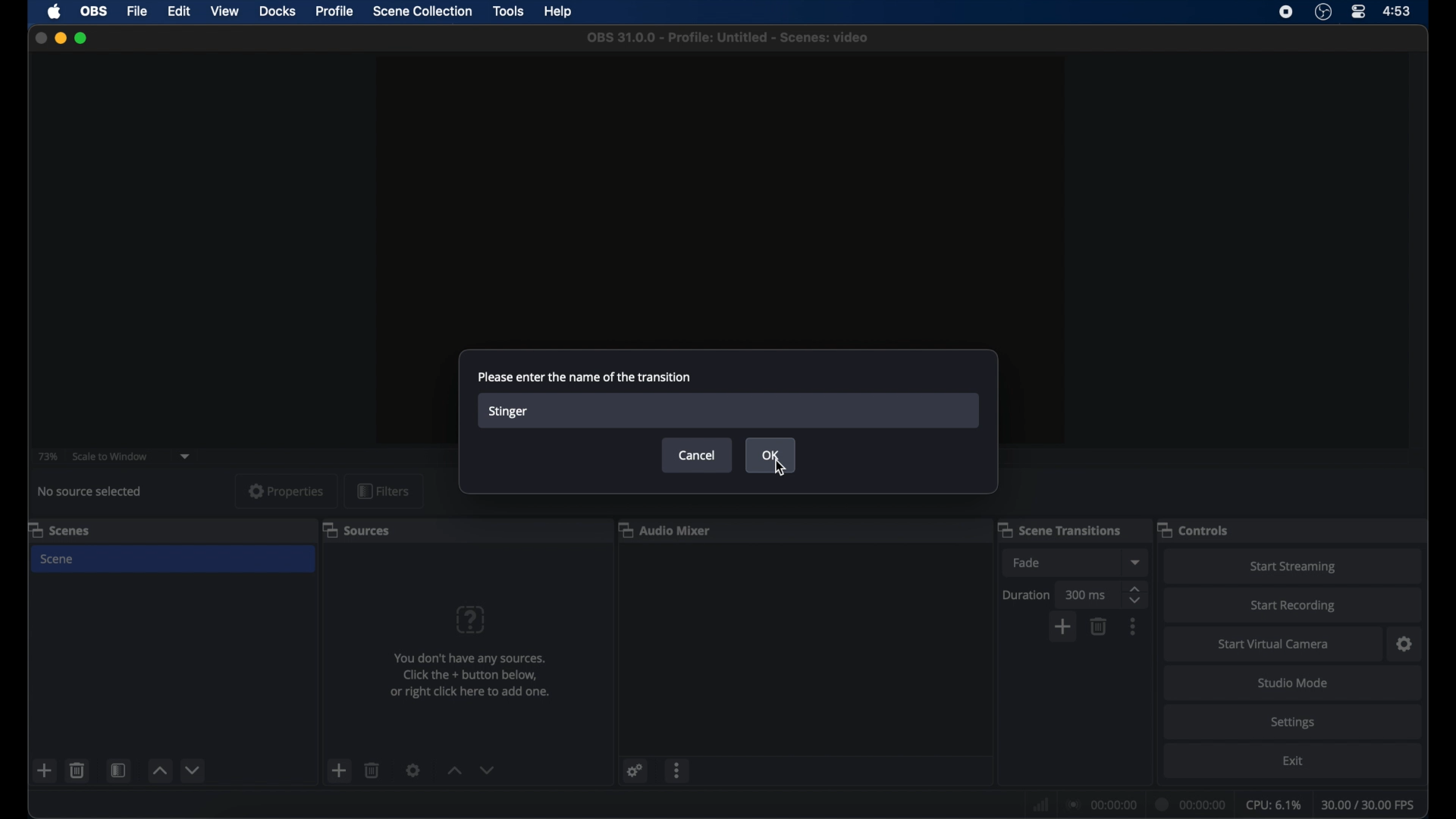 The height and width of the screenshot is (819, 1456). What do you see at coordinates (59, 529) in the screenshot?
I see `scenes` at bounding box center [59, 529].